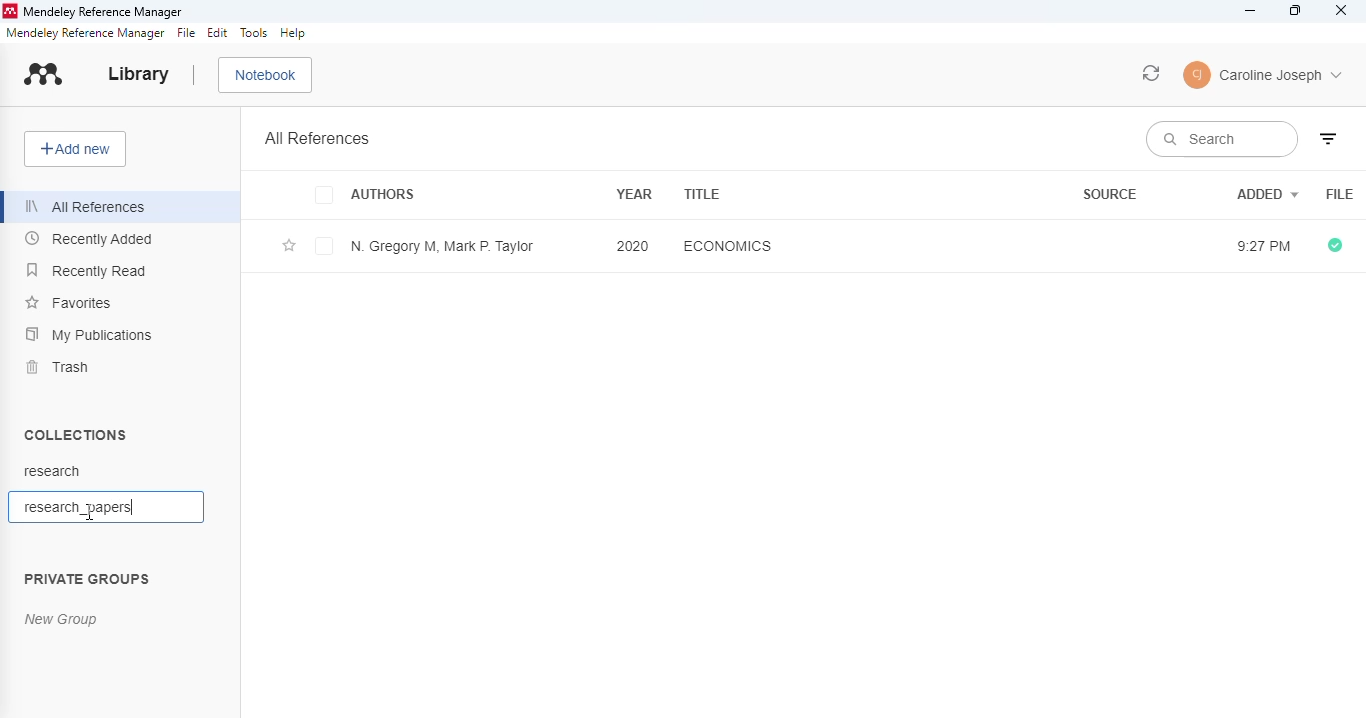 The width and height of the screenshot is (1366, 718). I want to click on help, so click(293, 33).